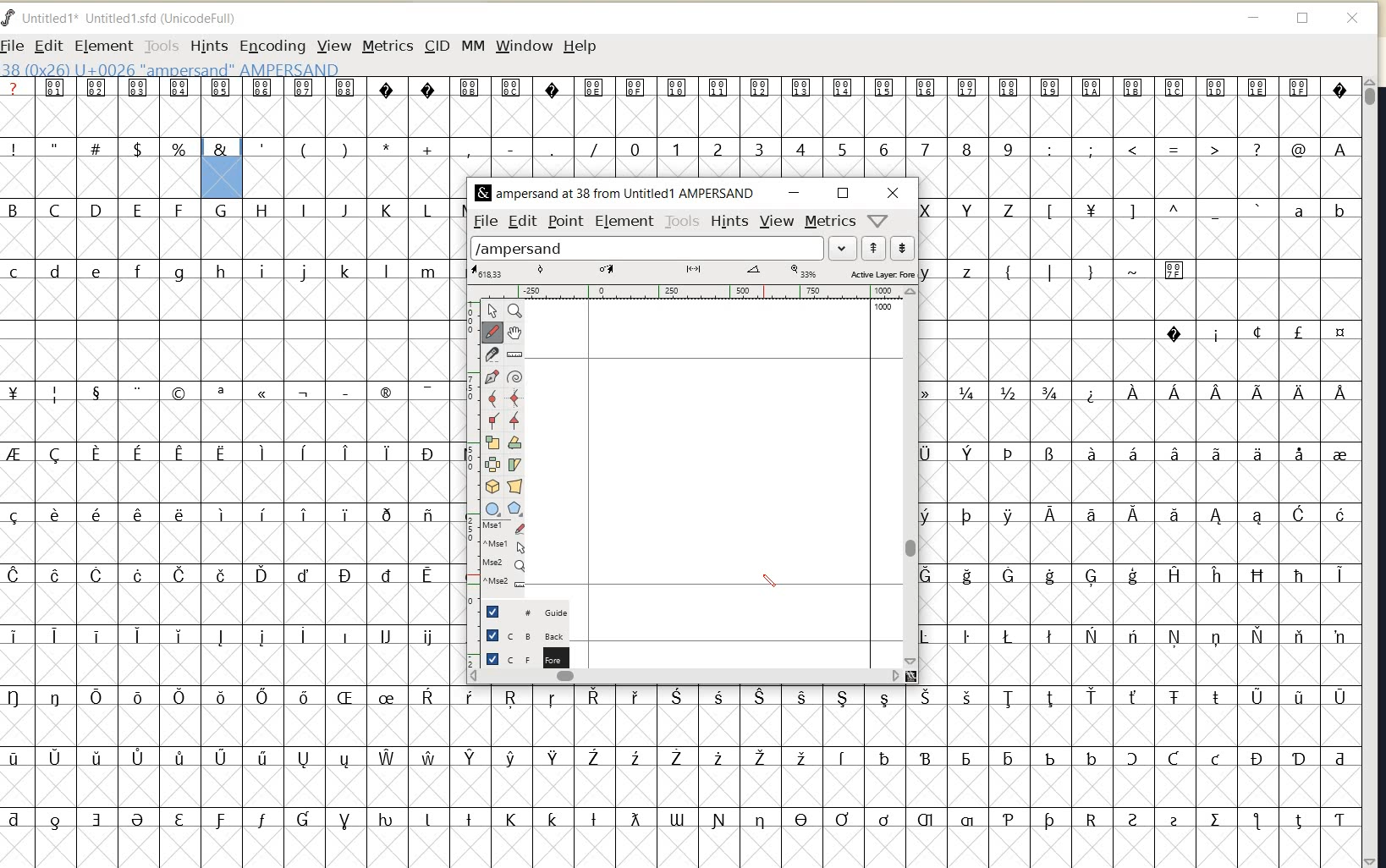 This screenshot has height=868, width=1386. Describe the element at coordinates (515, 442) in the screenshot. I see `rotate the selection` at that location.